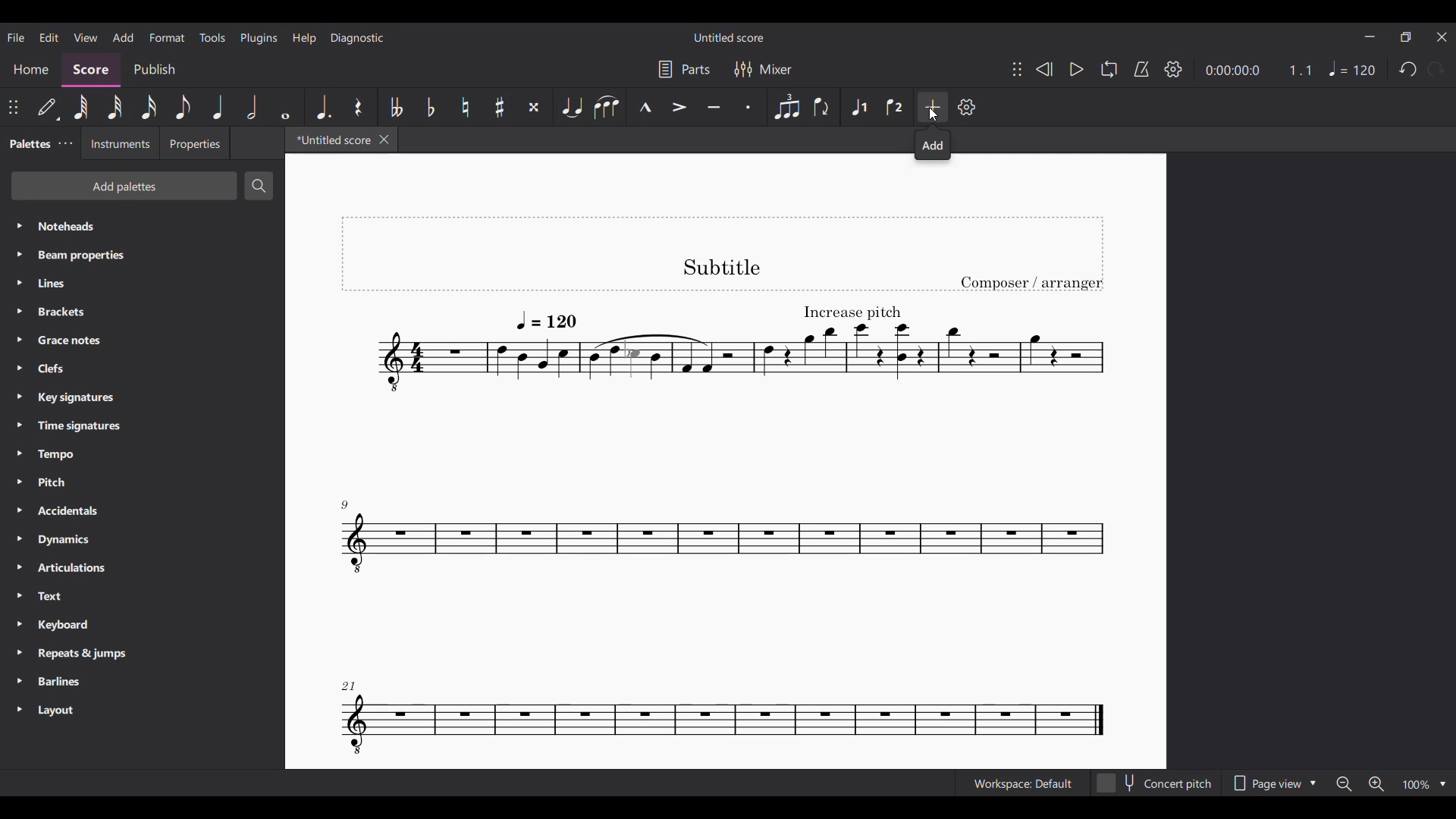 Image resolution: width=1456 pixels, height=819 pixels. What do you see at coordinates (49, 107) in the screenshot?
I see `Default` at bounding box center [49, 107].